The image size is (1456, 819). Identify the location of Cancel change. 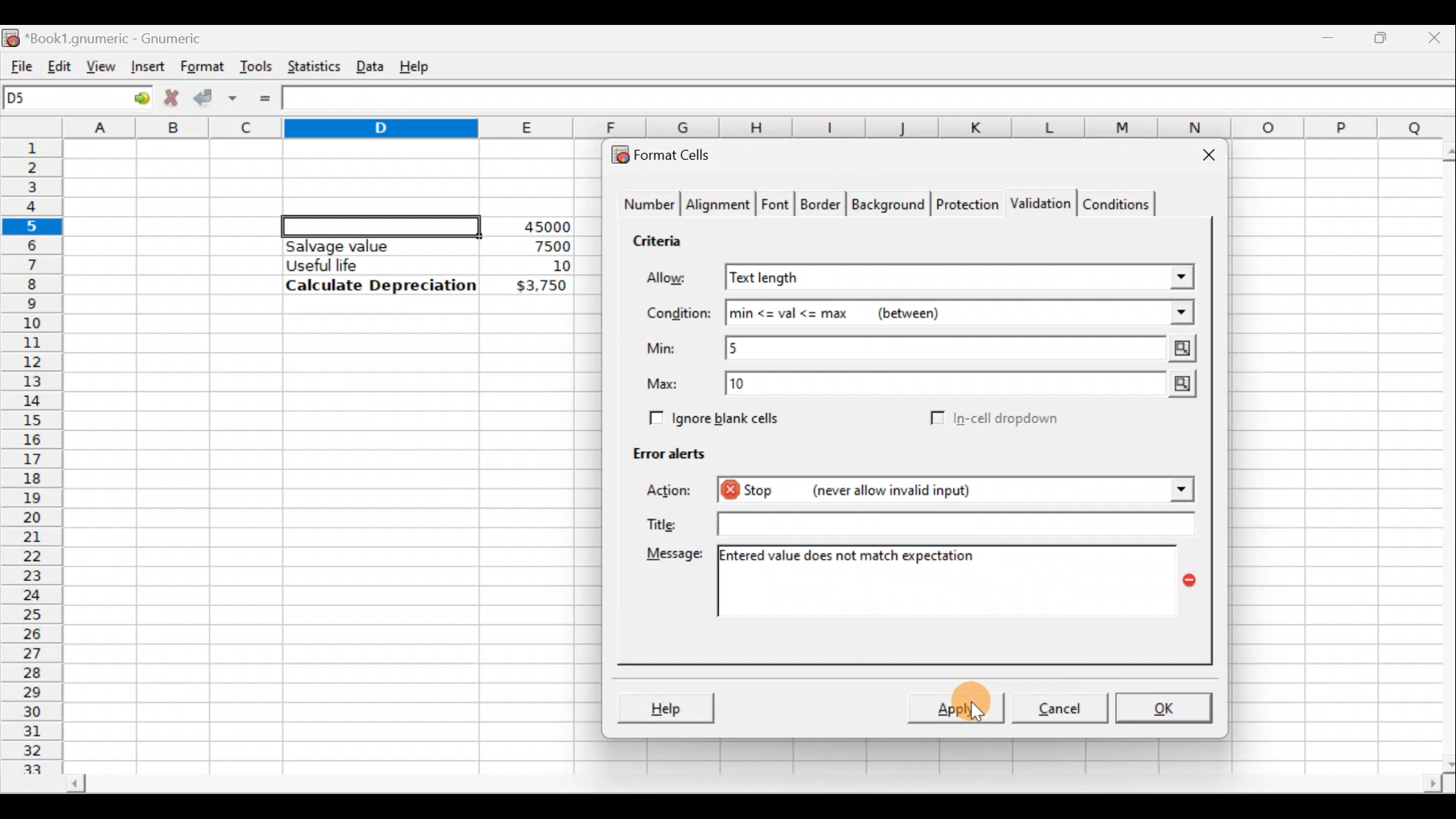
(170, 96).